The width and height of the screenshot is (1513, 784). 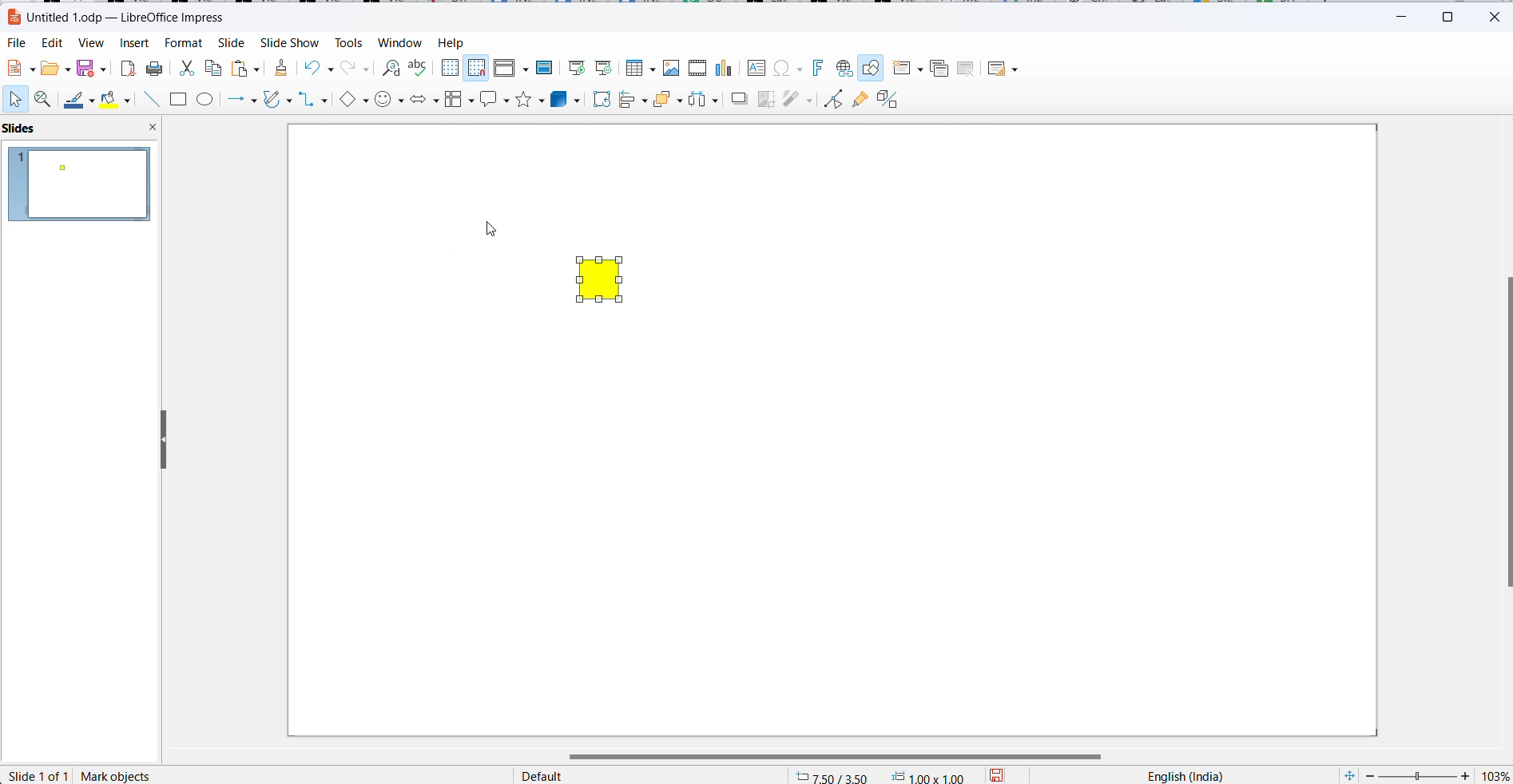 What do you see at coordinates (126, 69) in the screenshot?
I see `export as pdf` at bounding box center [126, 69].